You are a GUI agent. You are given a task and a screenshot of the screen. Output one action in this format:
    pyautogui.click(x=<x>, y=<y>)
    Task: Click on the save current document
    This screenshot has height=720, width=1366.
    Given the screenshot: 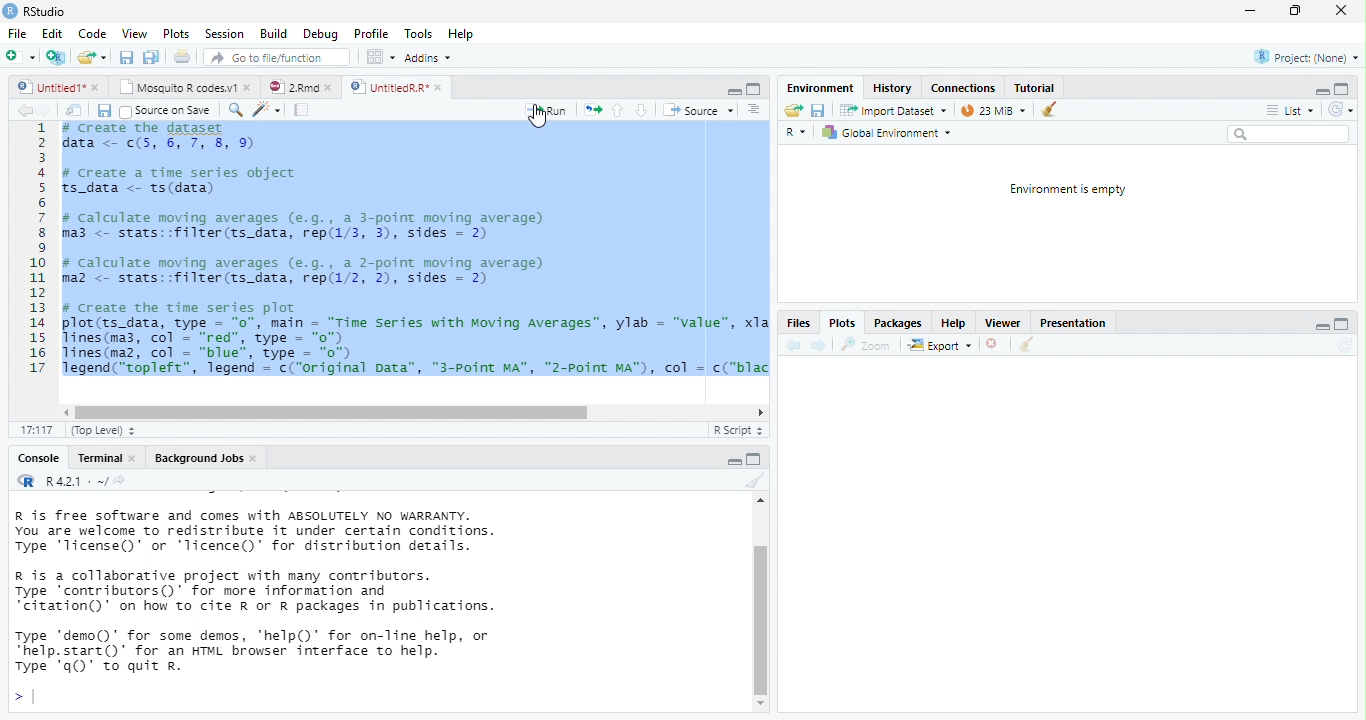 What is the action you would take?
    pyautogui.click(x=819, y=111)
    